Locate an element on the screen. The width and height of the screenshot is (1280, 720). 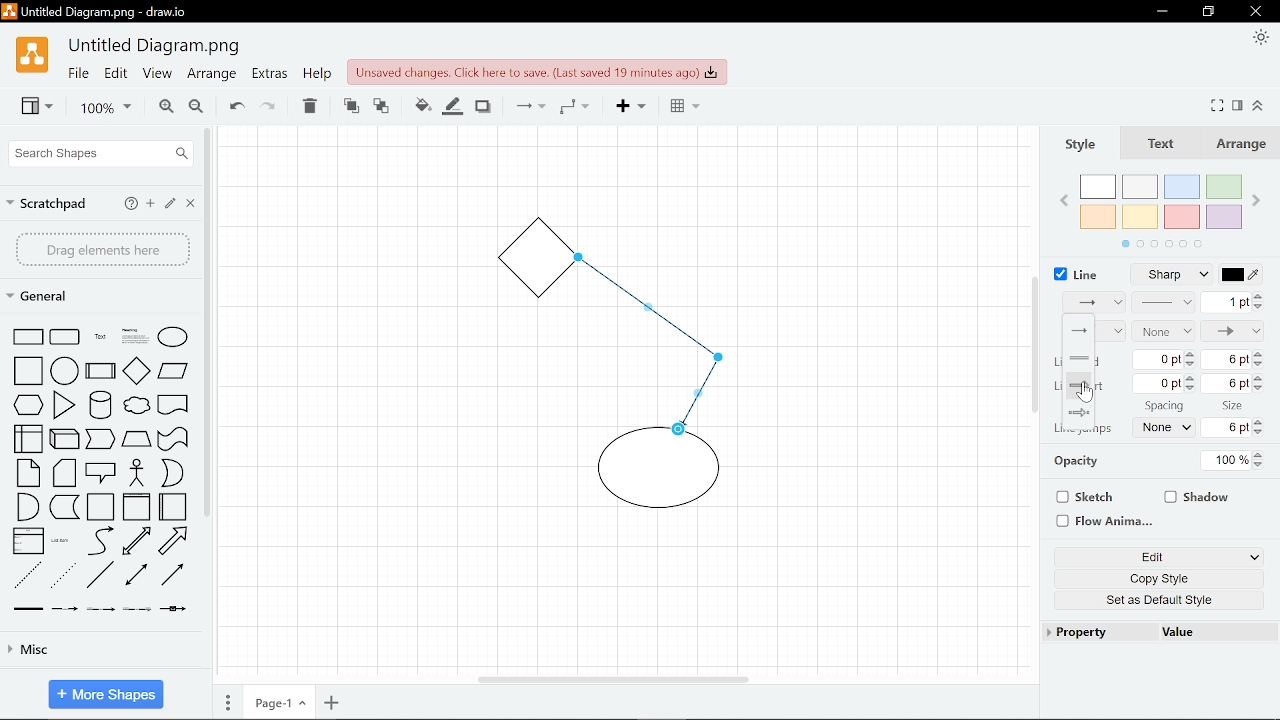
shape is located at coordinates (140, 474).